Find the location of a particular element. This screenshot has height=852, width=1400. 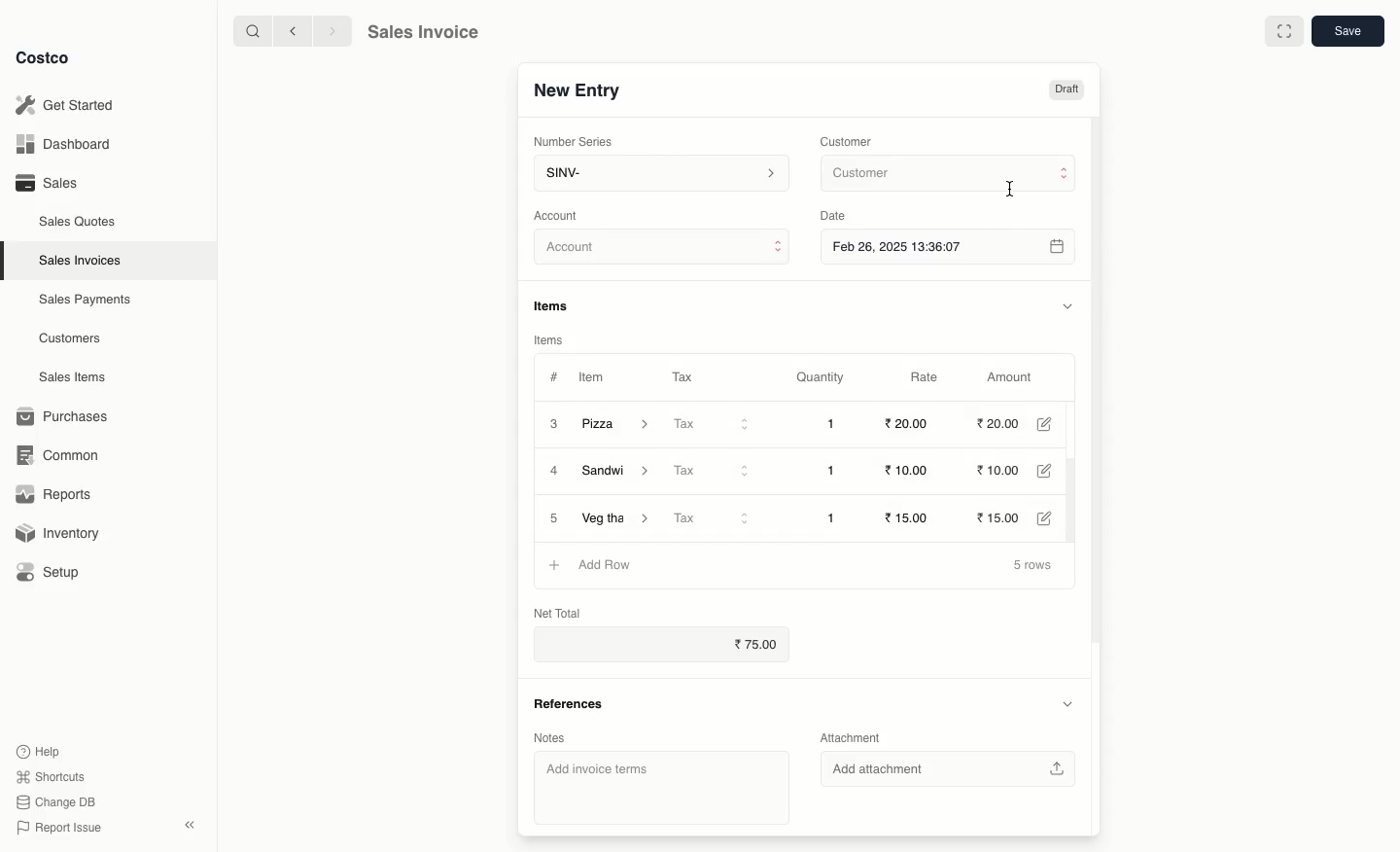

Inventory is located at coordinates (61, 531).